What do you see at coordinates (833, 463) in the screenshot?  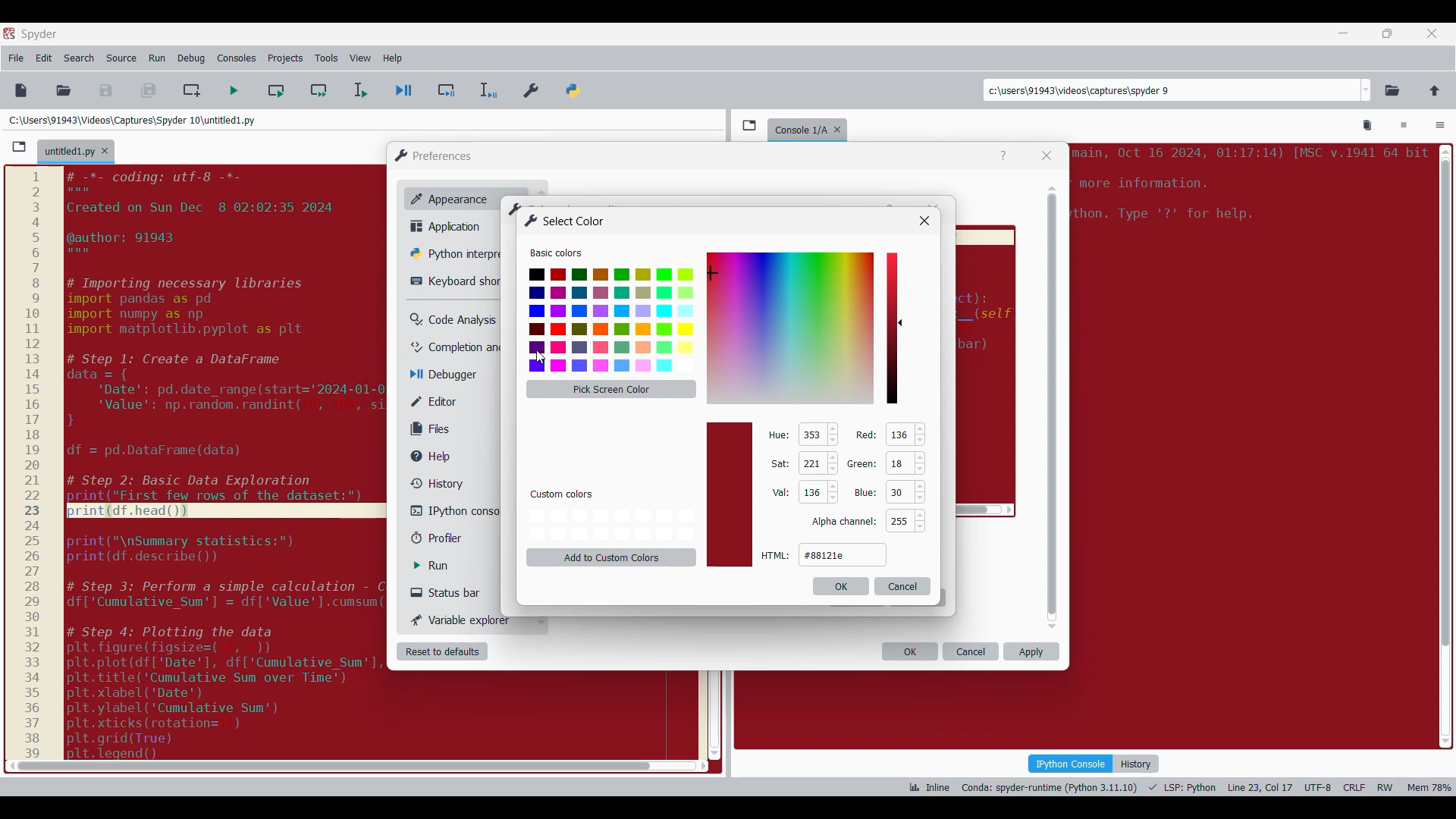 I see `Increase/Decrease number` at bounding box center [833, 463].